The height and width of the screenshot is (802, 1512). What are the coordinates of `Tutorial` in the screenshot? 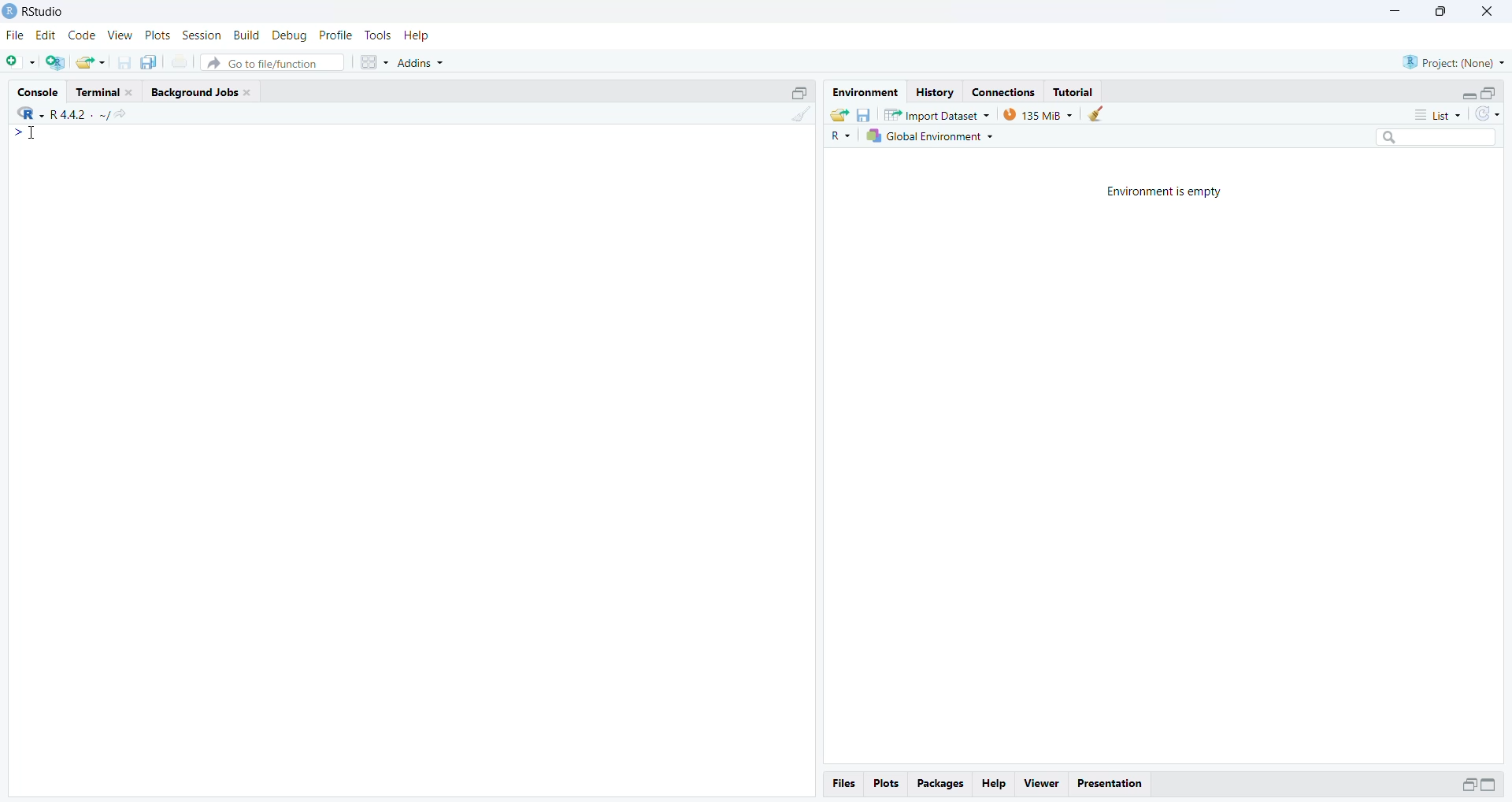 It's located at (1076, 91).